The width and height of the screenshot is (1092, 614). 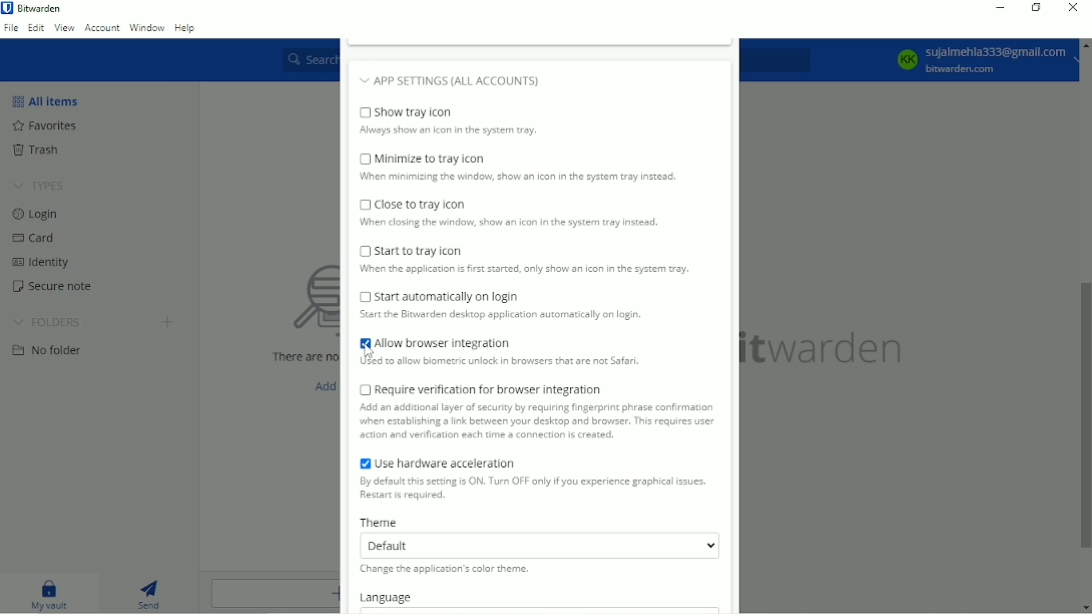 I want to click on Minimize to tray icon, so click(x=423, y=158).